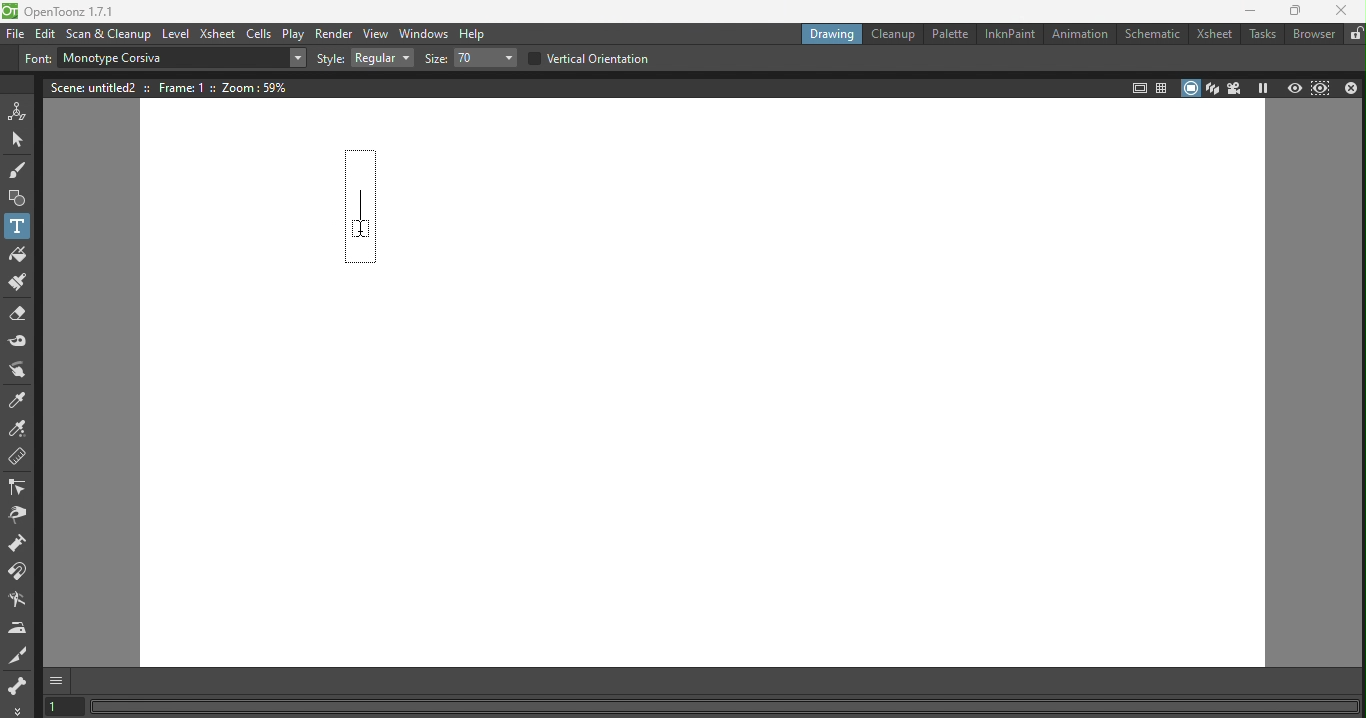 The image size is (1366, 718). Describe the element at coordinates (21, 370) in the screenshot. I see `Finger tool` at that location.